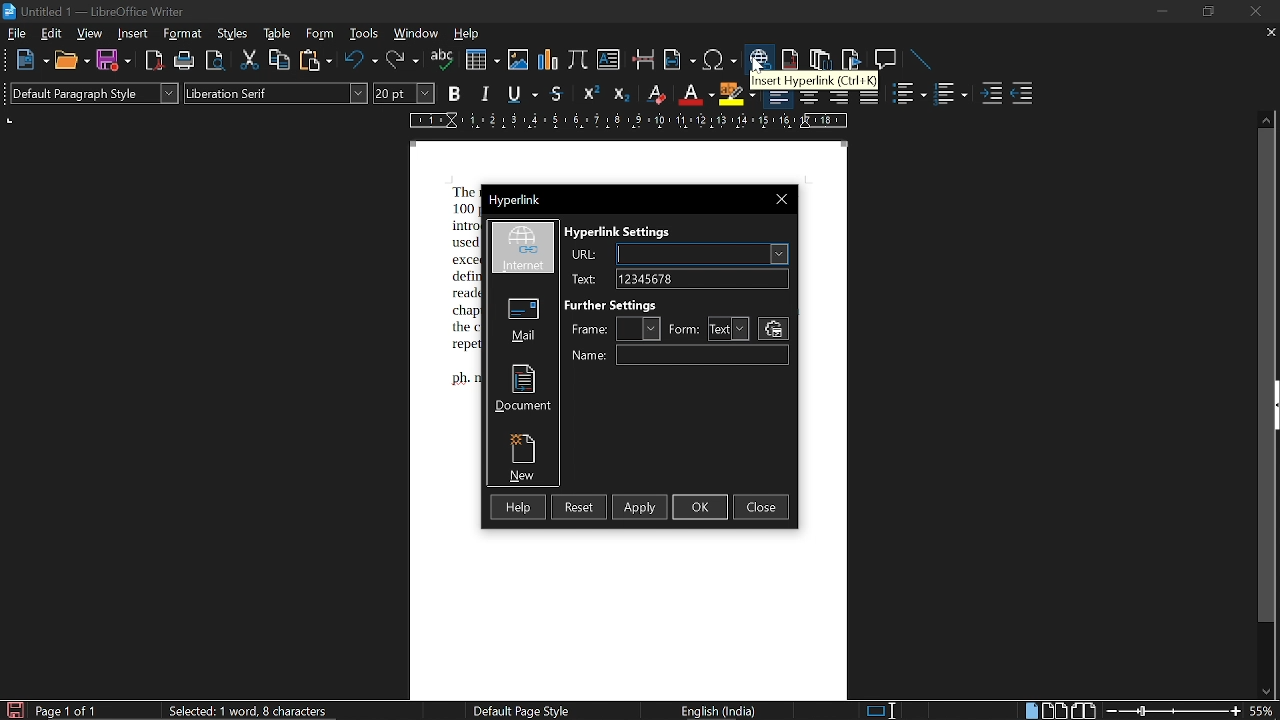  I want to click on close, so click(1257, 11).